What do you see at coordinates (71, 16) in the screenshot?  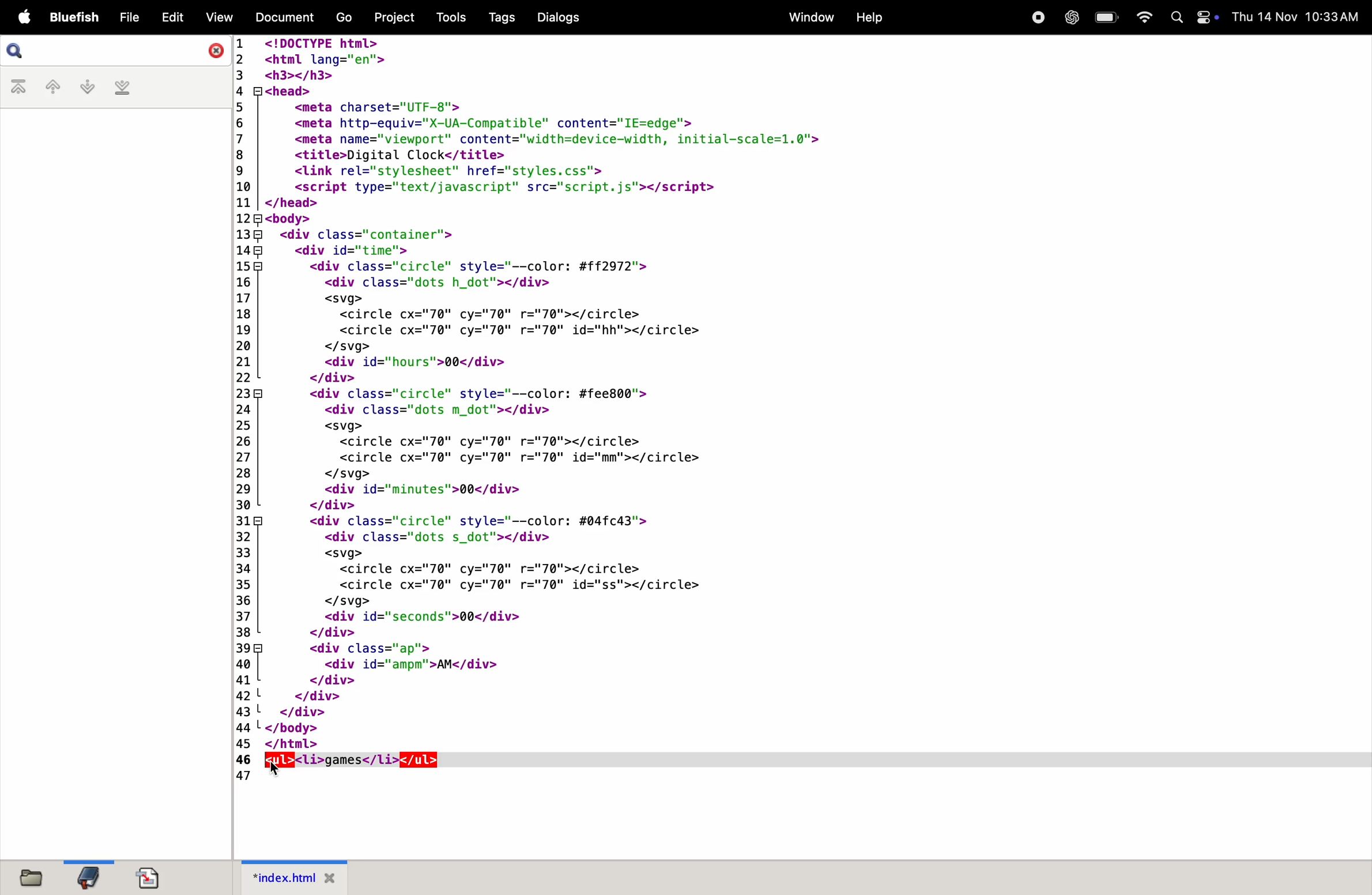 I see `bluefish` at bounding box center [71, 16].